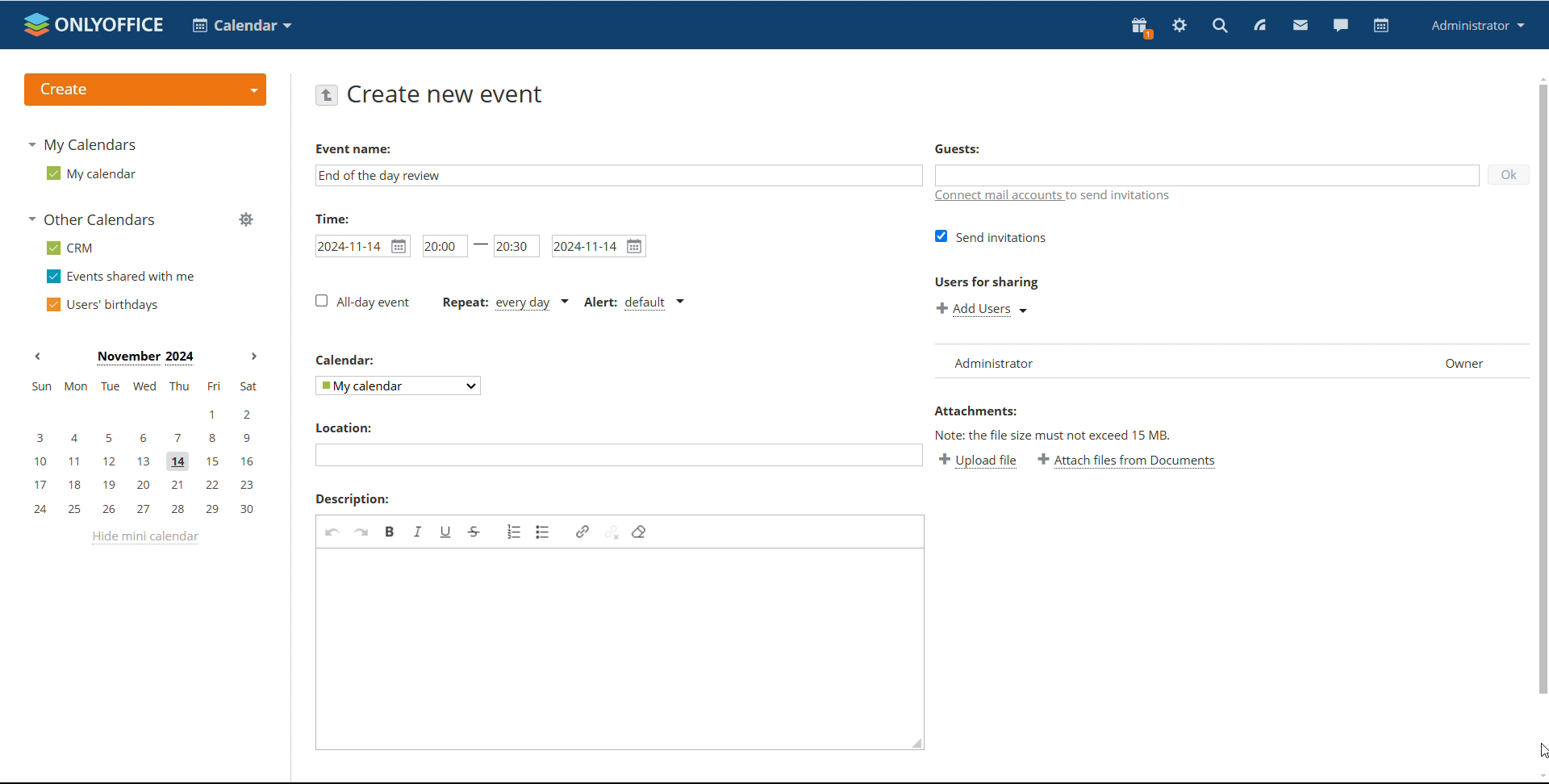 Image resolution: width=1549 pixels, height=784 pixels. I want to click on ok, so click(1508, 174).